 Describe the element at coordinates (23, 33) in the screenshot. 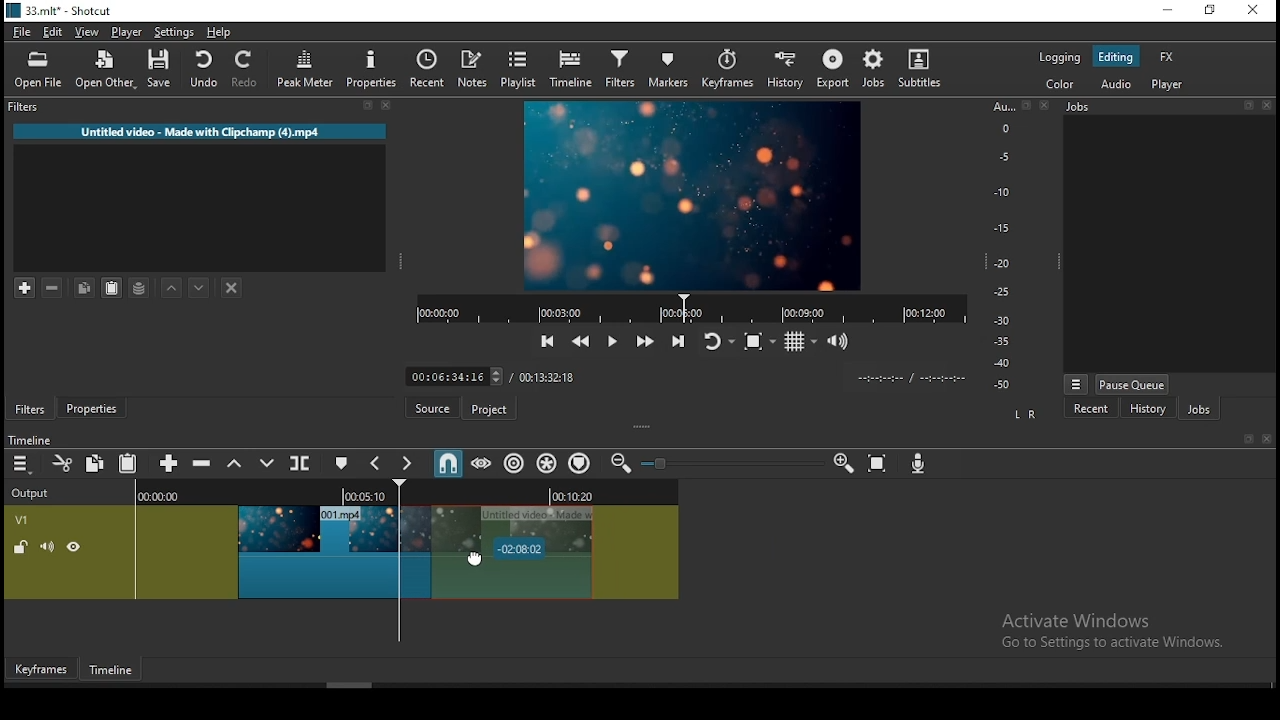

I see `file` at that location.